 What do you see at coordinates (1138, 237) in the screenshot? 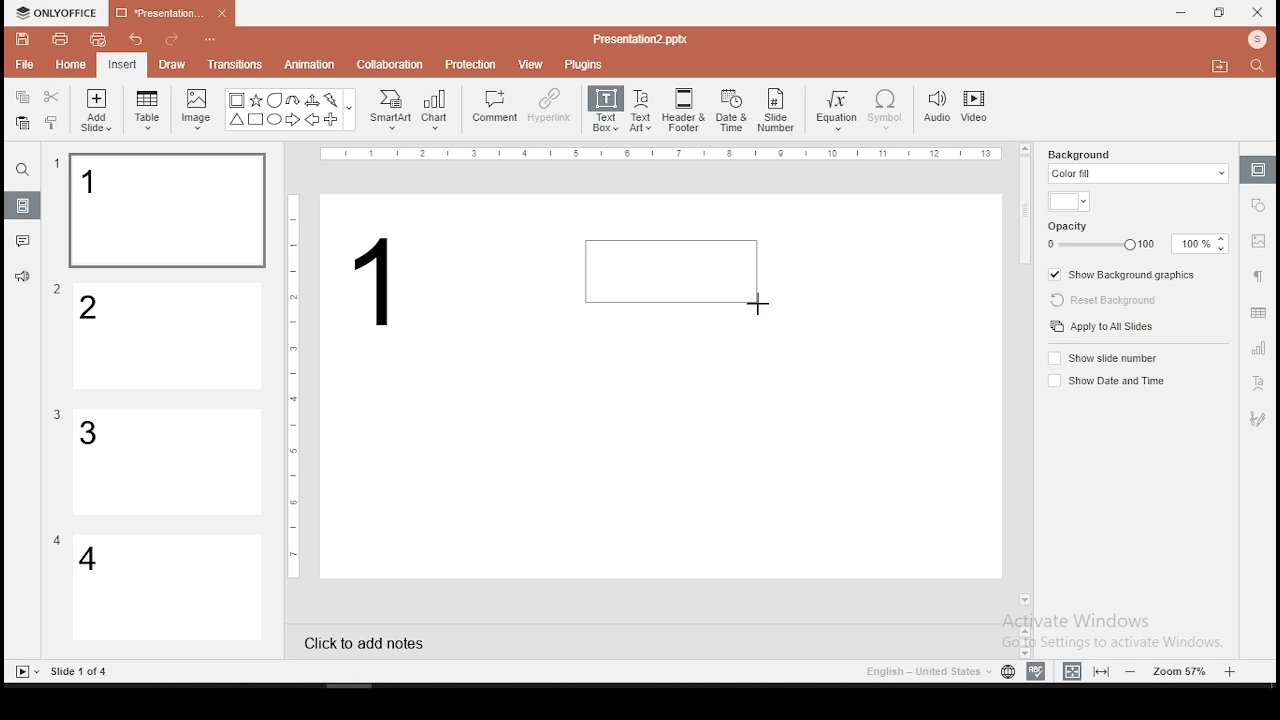
I see `opacity` at bounding box center [1138, 237].